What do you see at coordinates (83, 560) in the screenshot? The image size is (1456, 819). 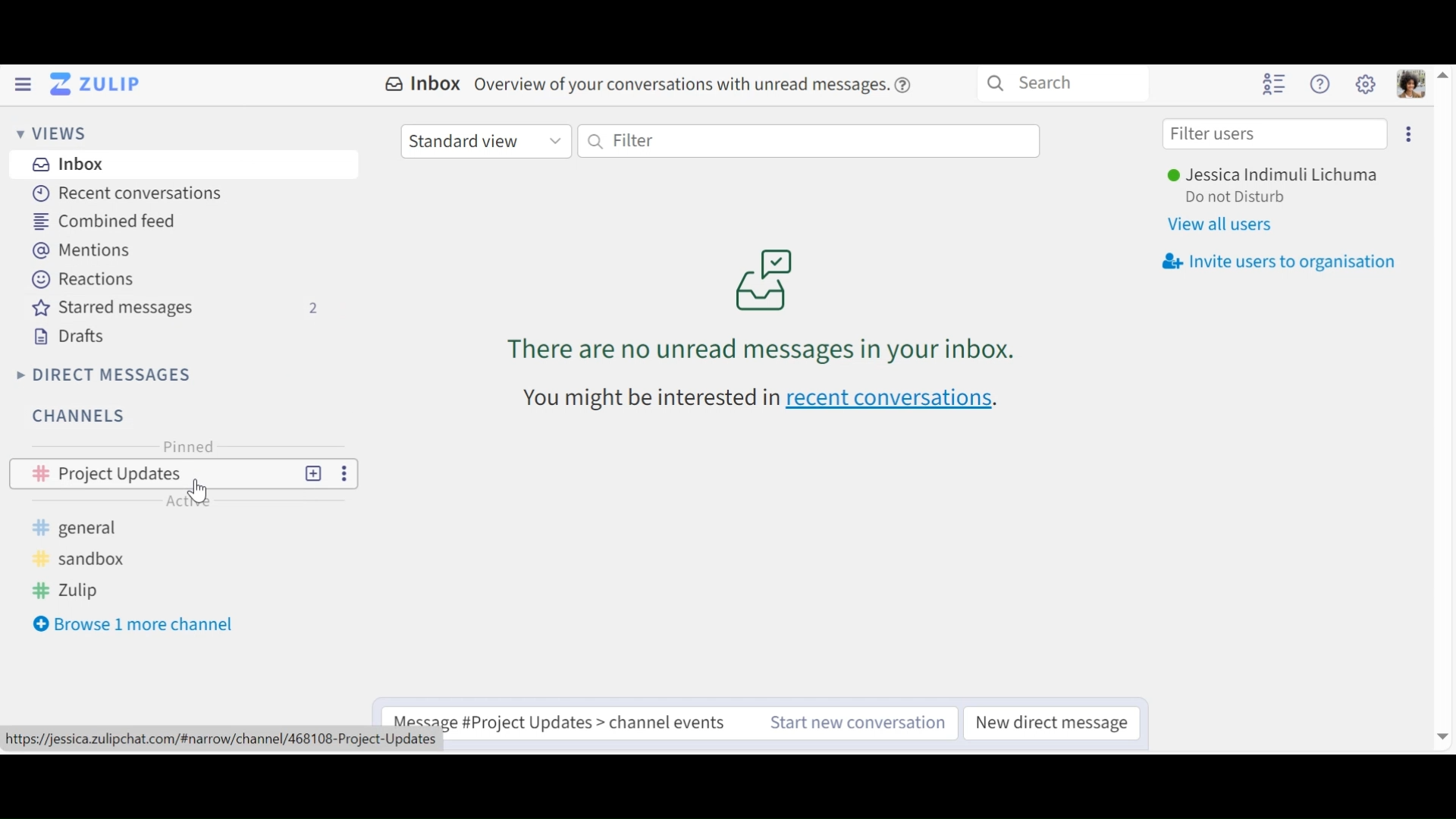 I see `sandbox` at bounding box center [83, 560].